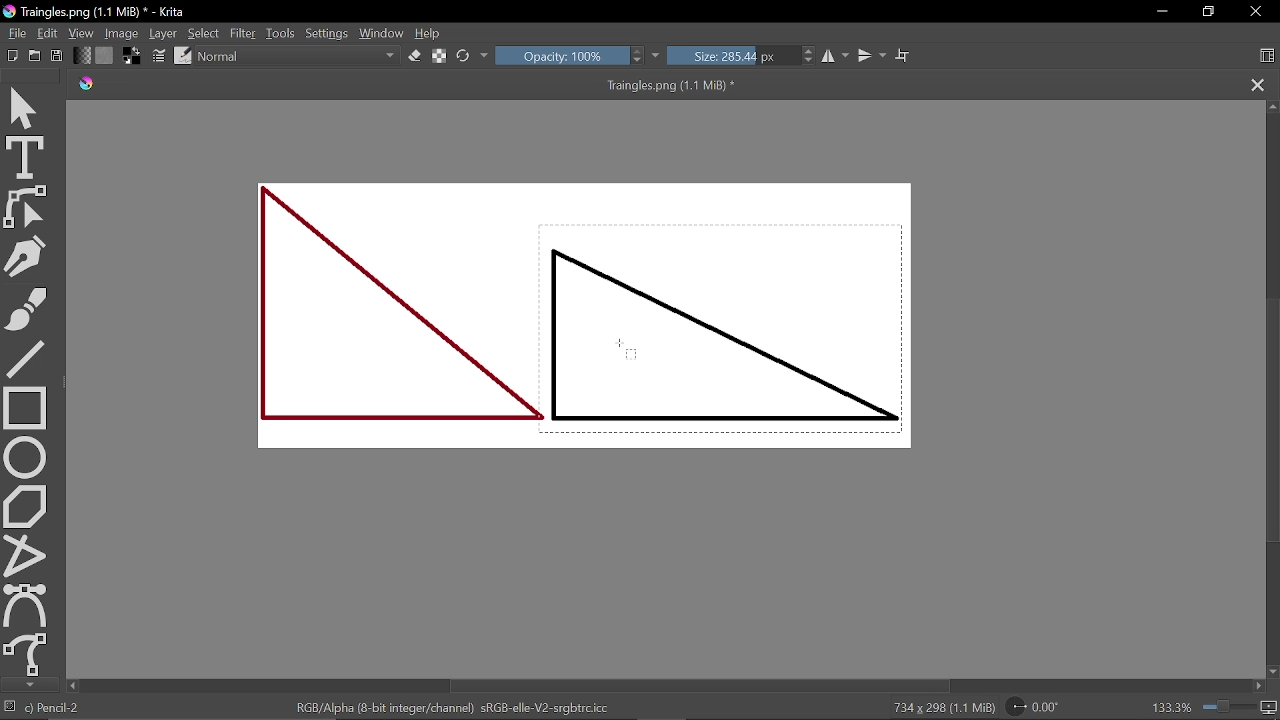 The image size is (1280, 720). What do you see at coordinates (742, 56) in the screenshot?
I see `Size: 285.44 px` at bounding box center [742, 56].